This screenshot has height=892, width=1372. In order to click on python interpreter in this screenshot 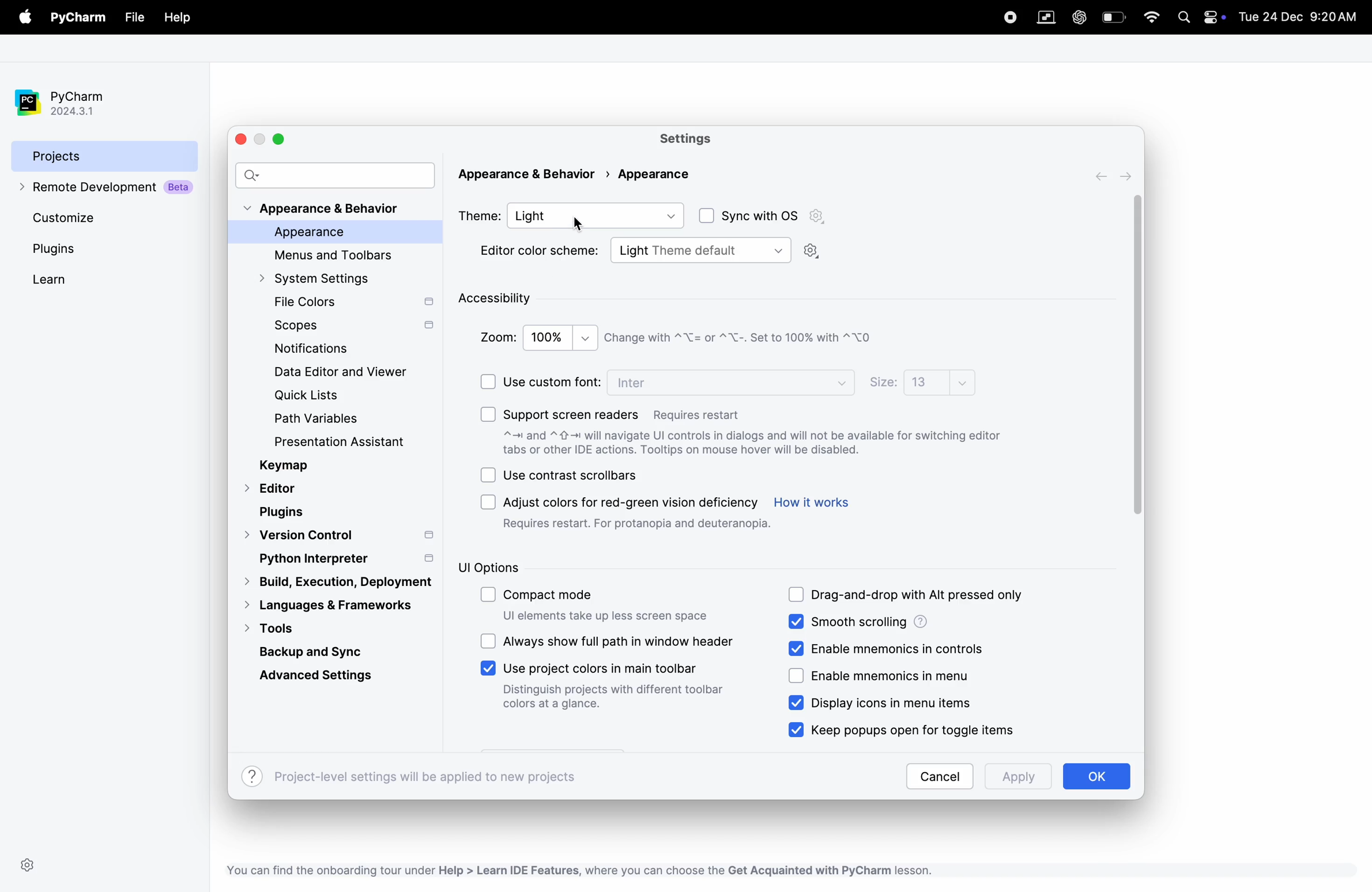, I will do `click(344, 558)`.